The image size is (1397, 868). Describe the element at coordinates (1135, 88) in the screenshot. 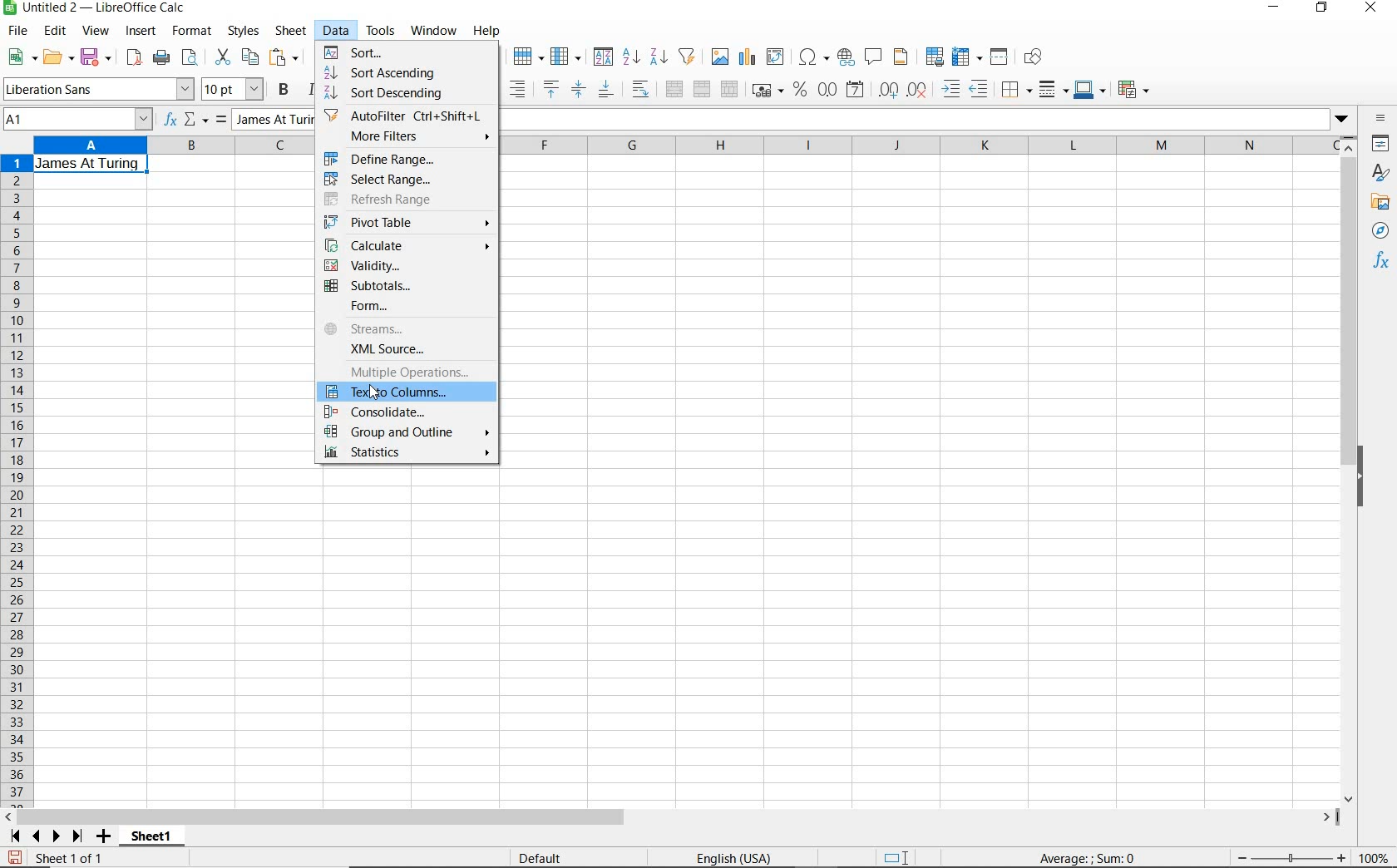

I see `conditional` at that location.